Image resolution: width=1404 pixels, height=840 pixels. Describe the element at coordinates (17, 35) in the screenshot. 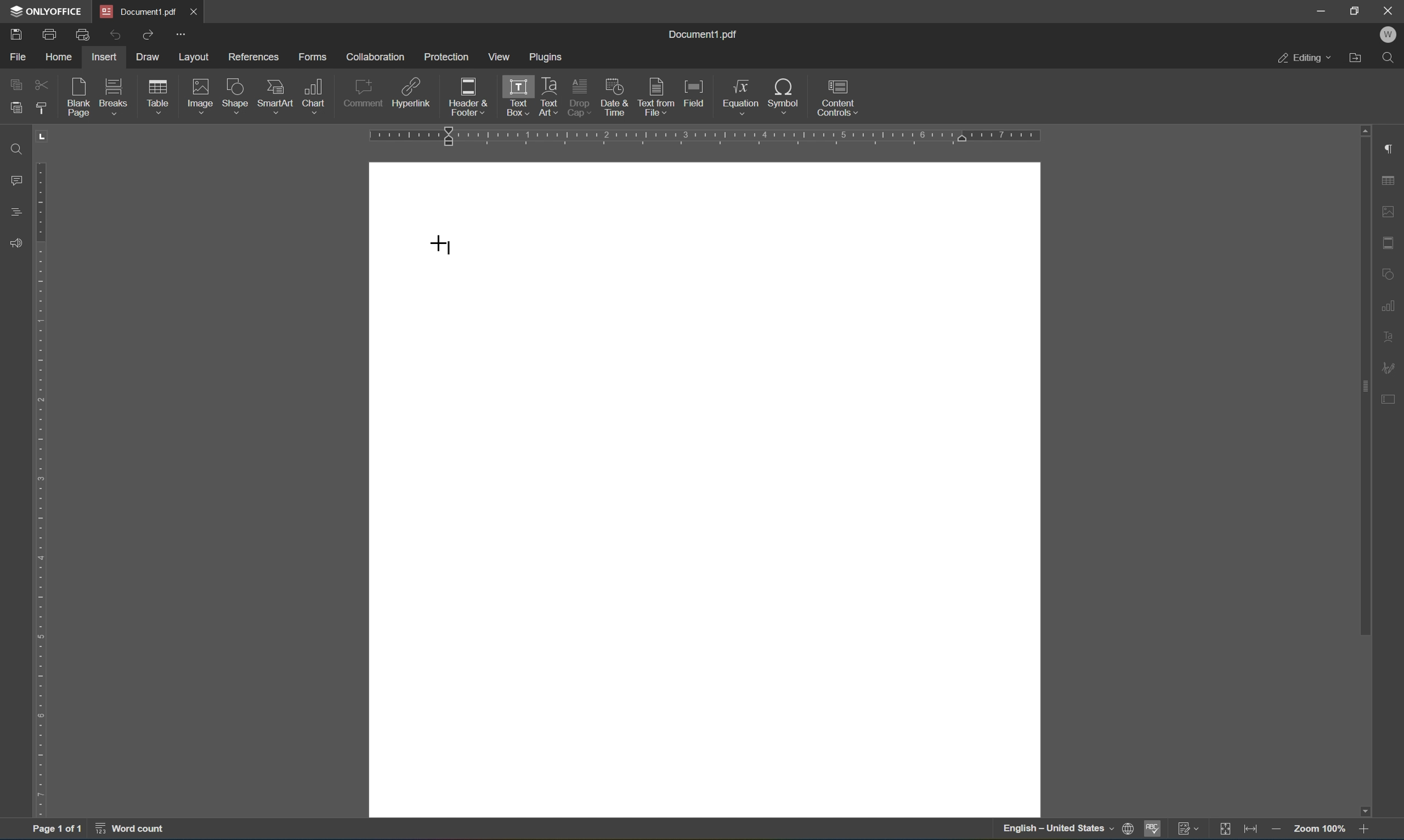

I see `Save` at that location.